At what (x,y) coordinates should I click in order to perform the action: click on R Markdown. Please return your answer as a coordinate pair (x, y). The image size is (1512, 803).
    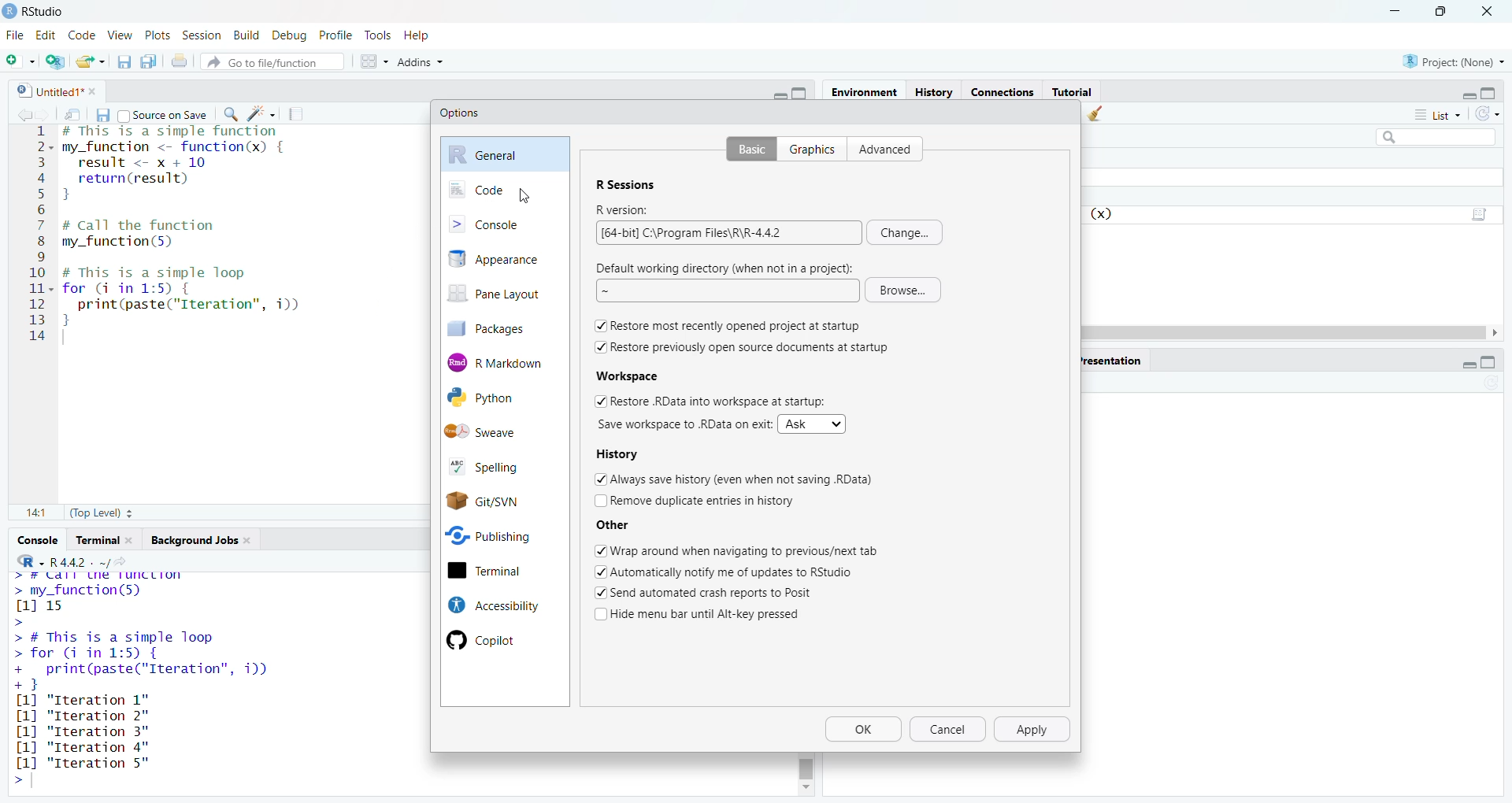
    Looking at the image, I should click on (506, 361).